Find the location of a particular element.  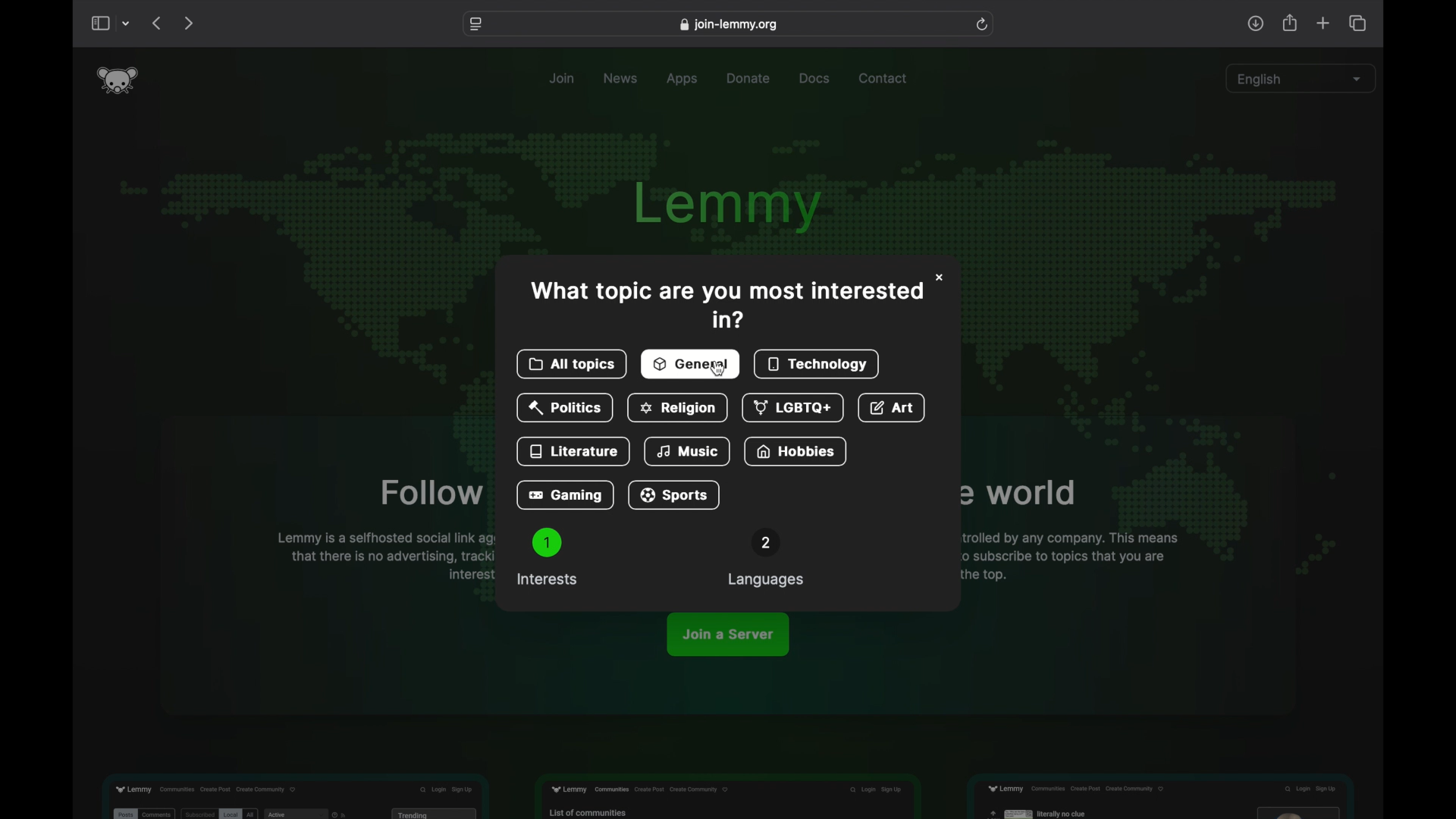

web address is located at coordinates (728, 24).